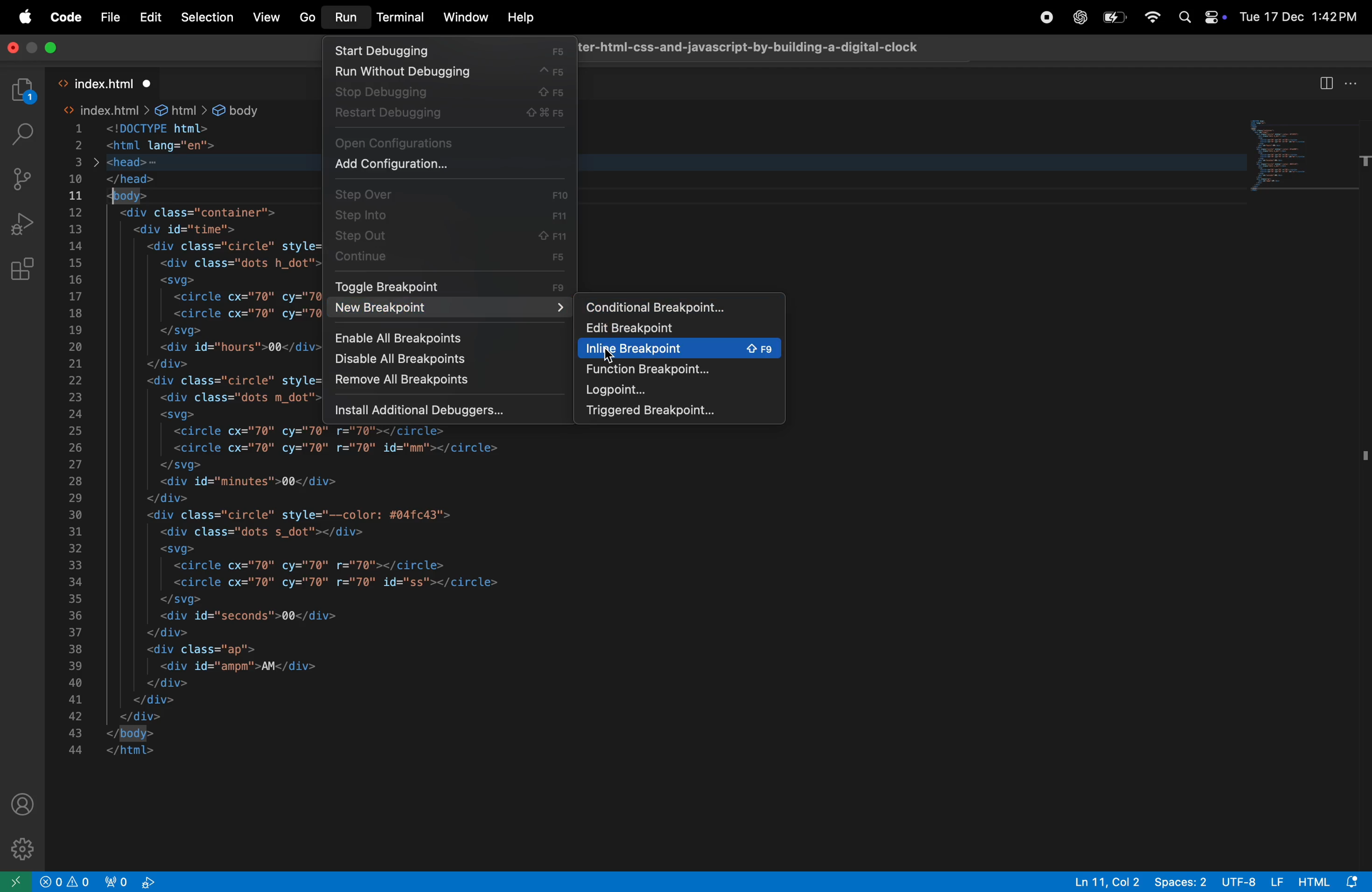 The height and width of the screenshot is (892, 1372). What do you see at coordinates (1353, 82) in the screenshot?
I see `options` at bounding box center [1353, 82].